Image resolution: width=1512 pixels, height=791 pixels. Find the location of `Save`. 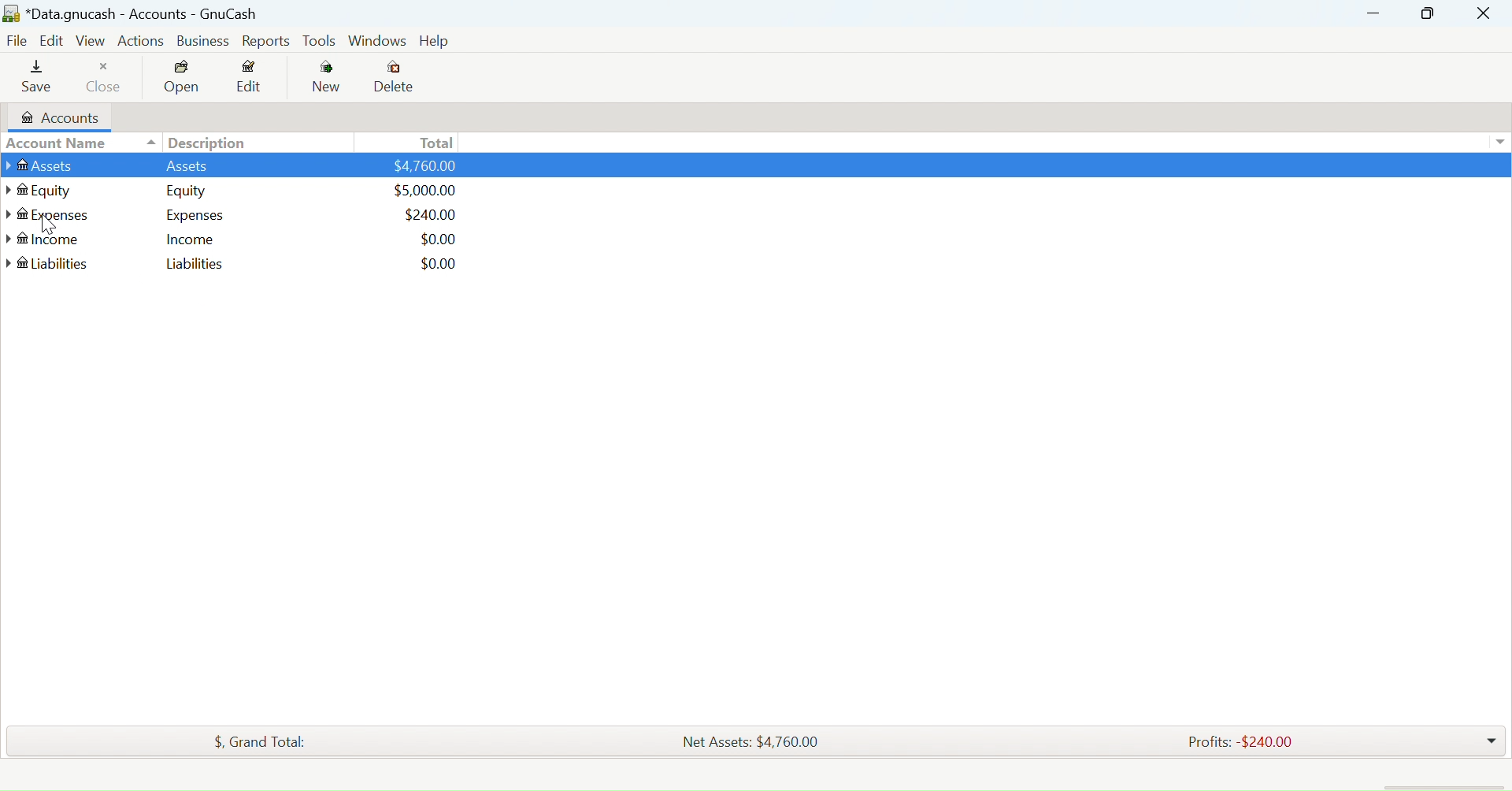

Save is located at coordinates (41, 78).